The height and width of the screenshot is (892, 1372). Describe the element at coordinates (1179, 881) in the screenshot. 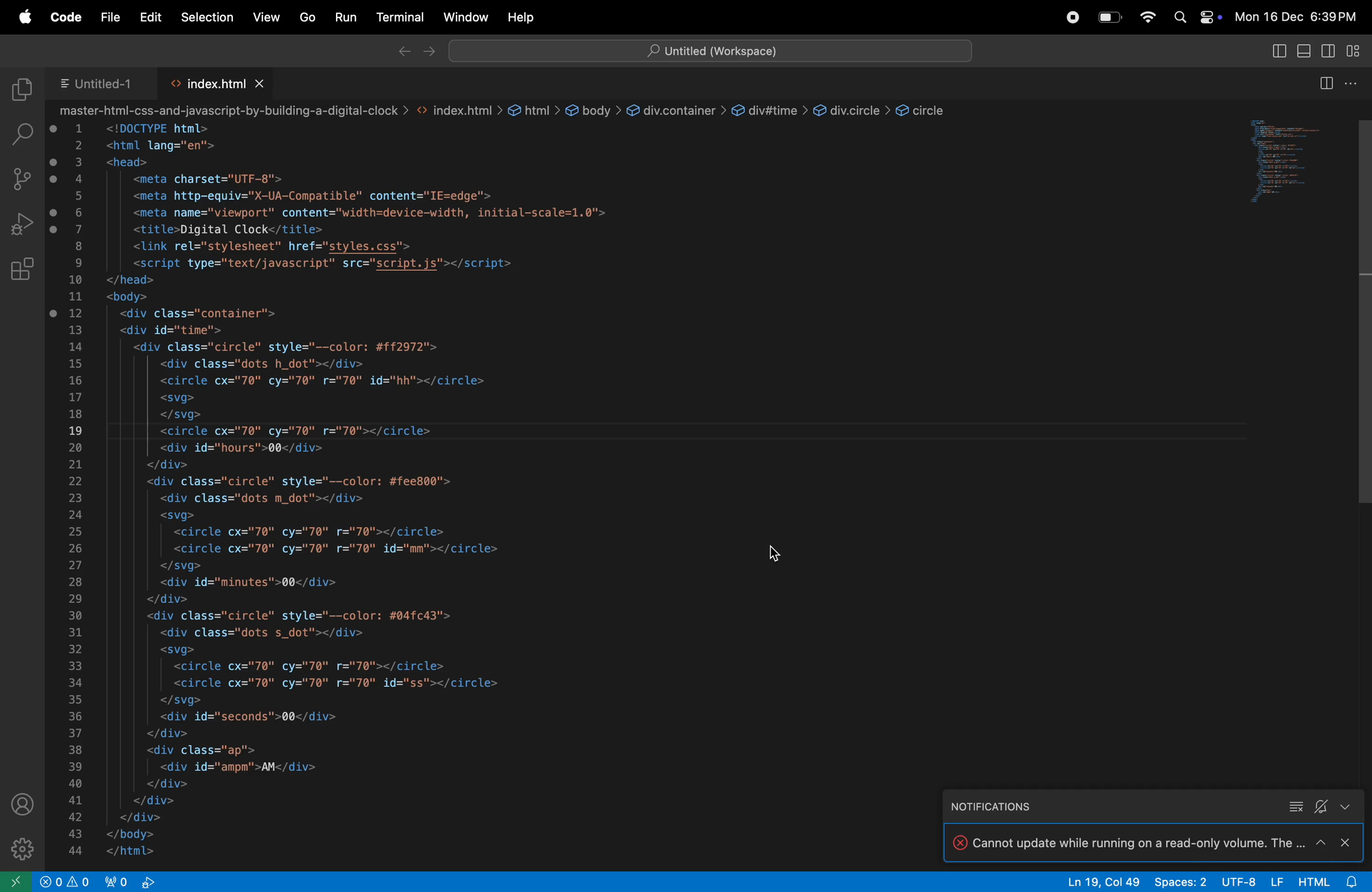

I see `space 2` at that location.